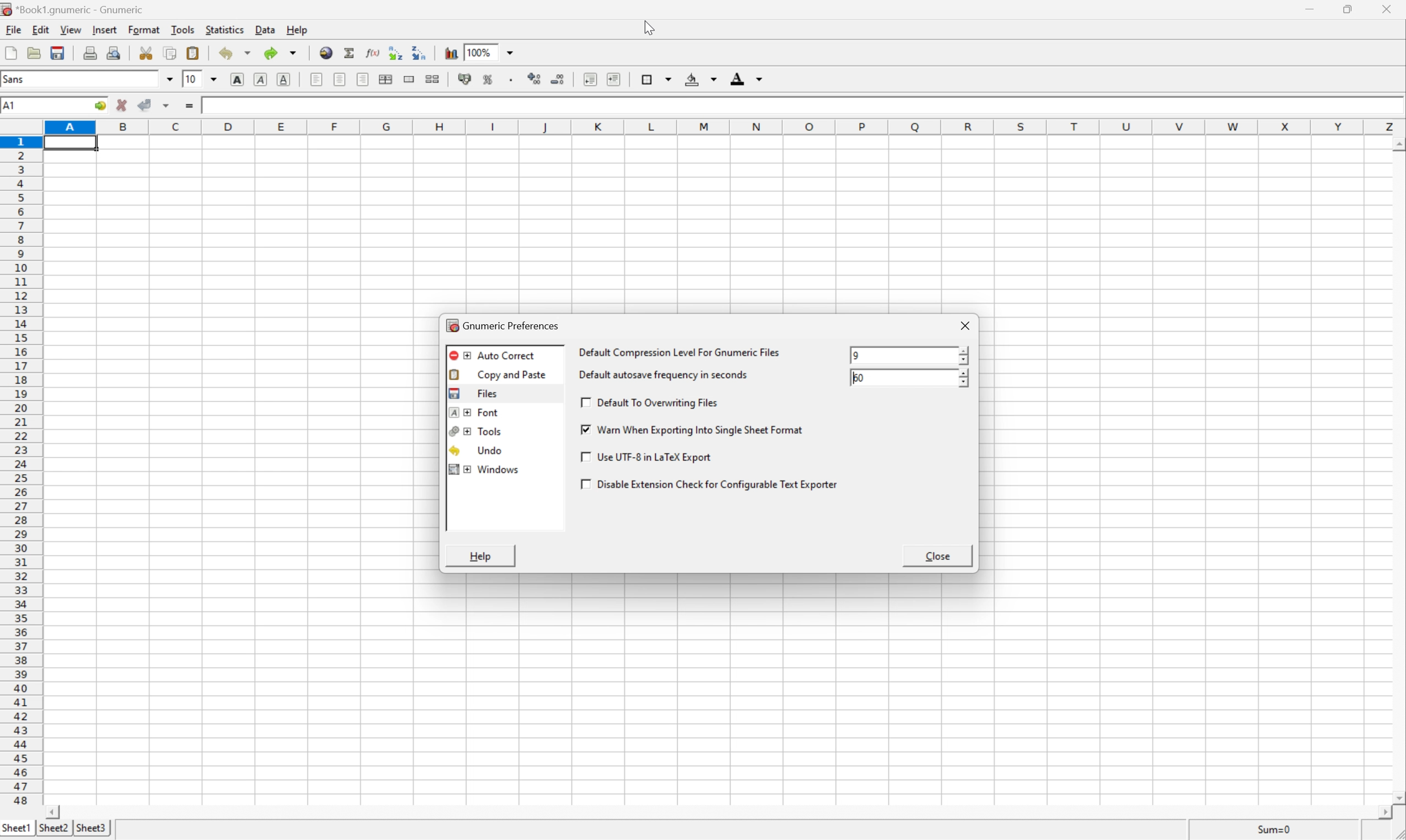 The image size is (1406, 840). Describe the element at coordinates (238, 78) in the screenshot. I see `bold` at that location.